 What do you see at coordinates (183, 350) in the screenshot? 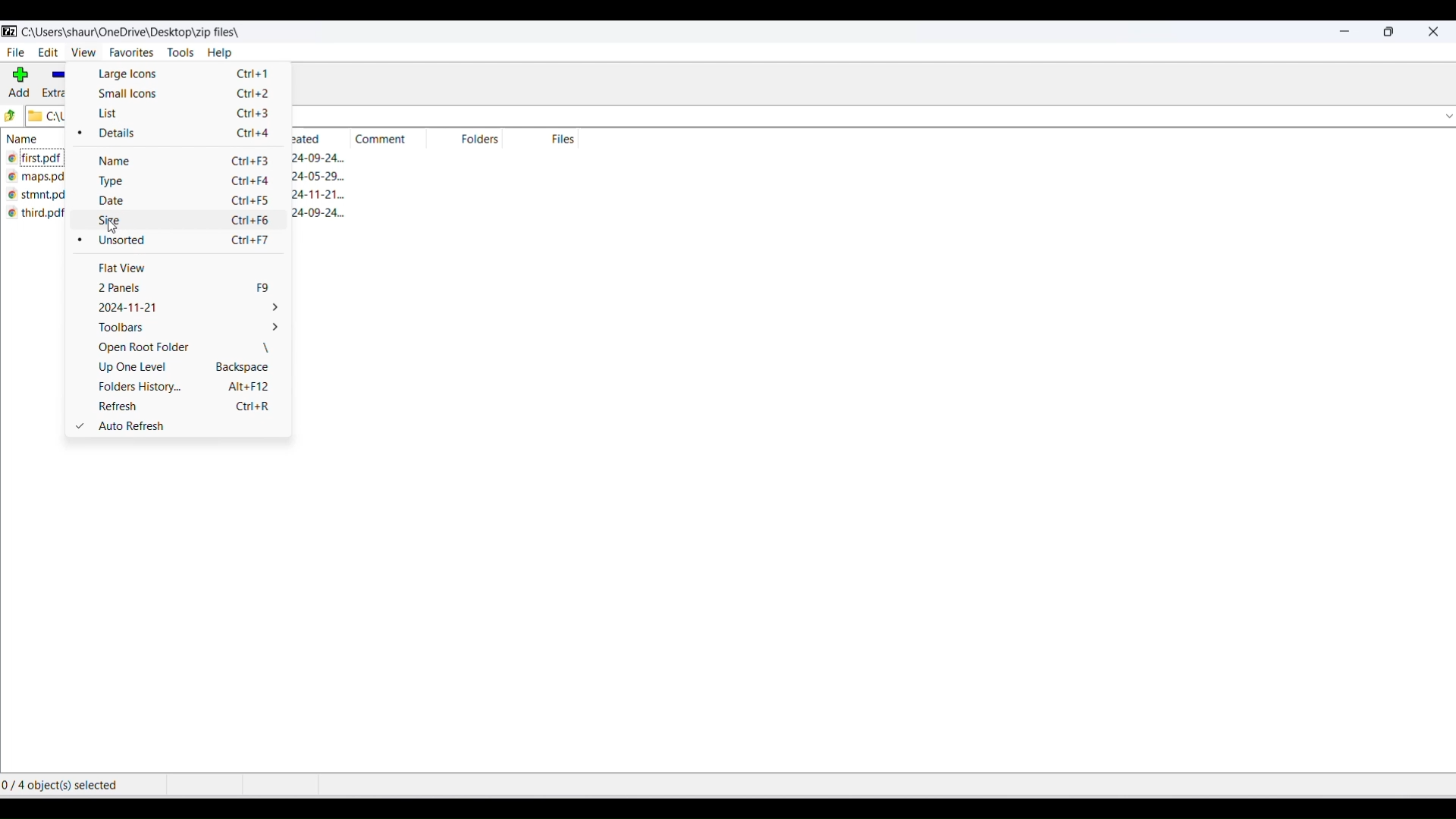
I see `open root folder` at bounding box center [183, 350].